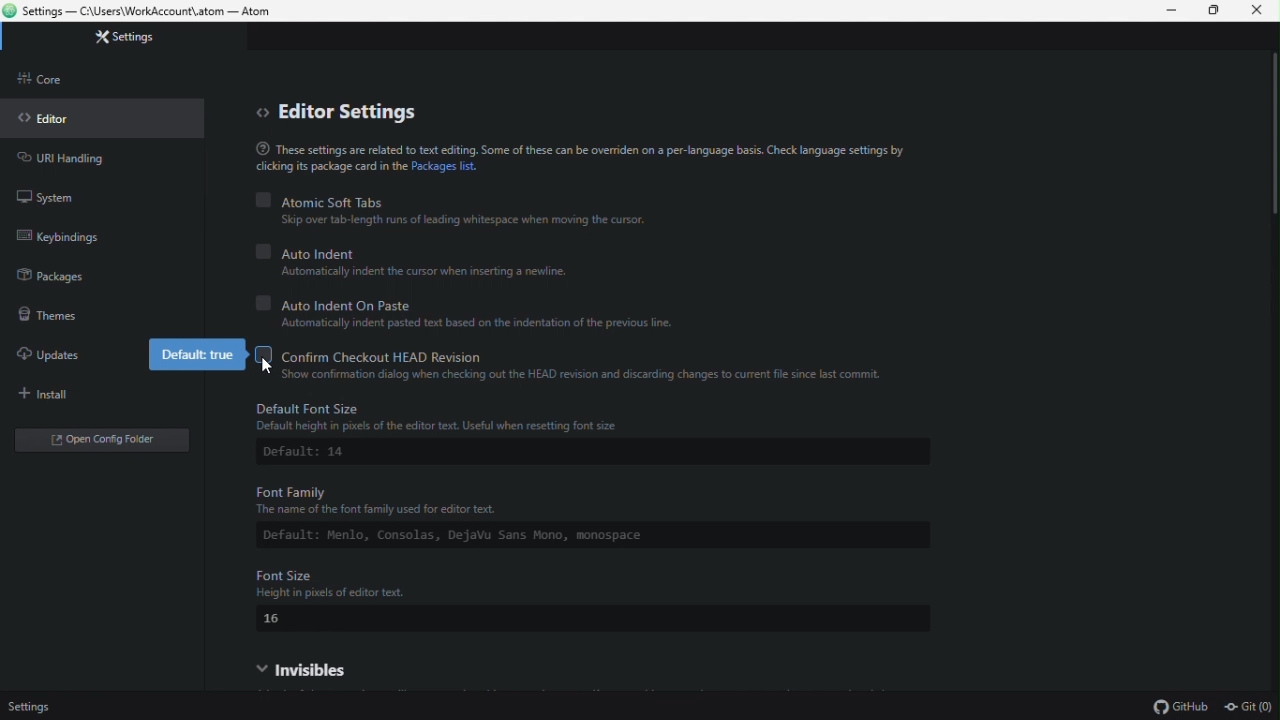  I want to click on Auto Indian on paste, so click(491, 303).